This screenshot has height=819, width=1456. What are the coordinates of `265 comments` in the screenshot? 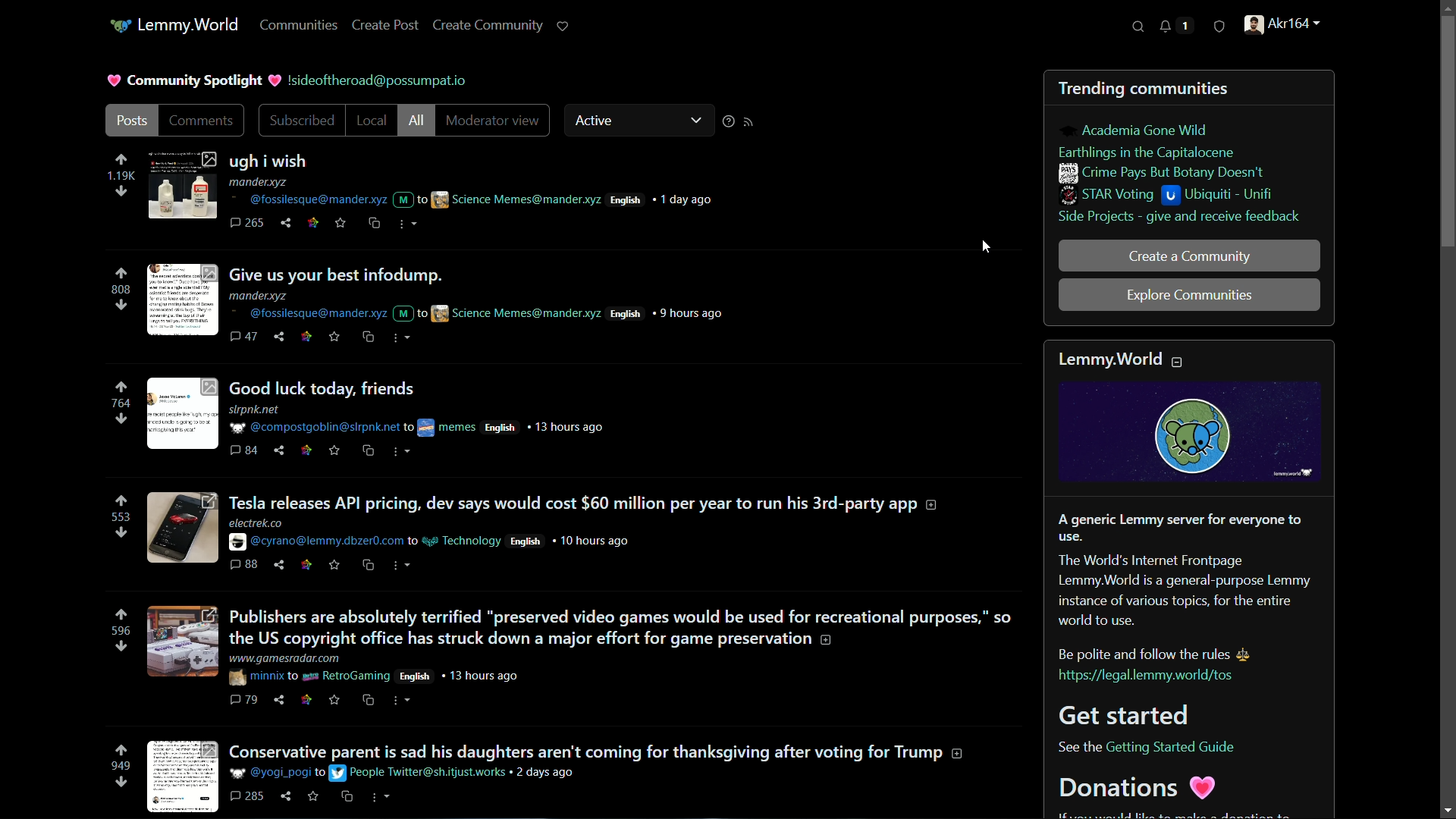 It's located at (248, 224).